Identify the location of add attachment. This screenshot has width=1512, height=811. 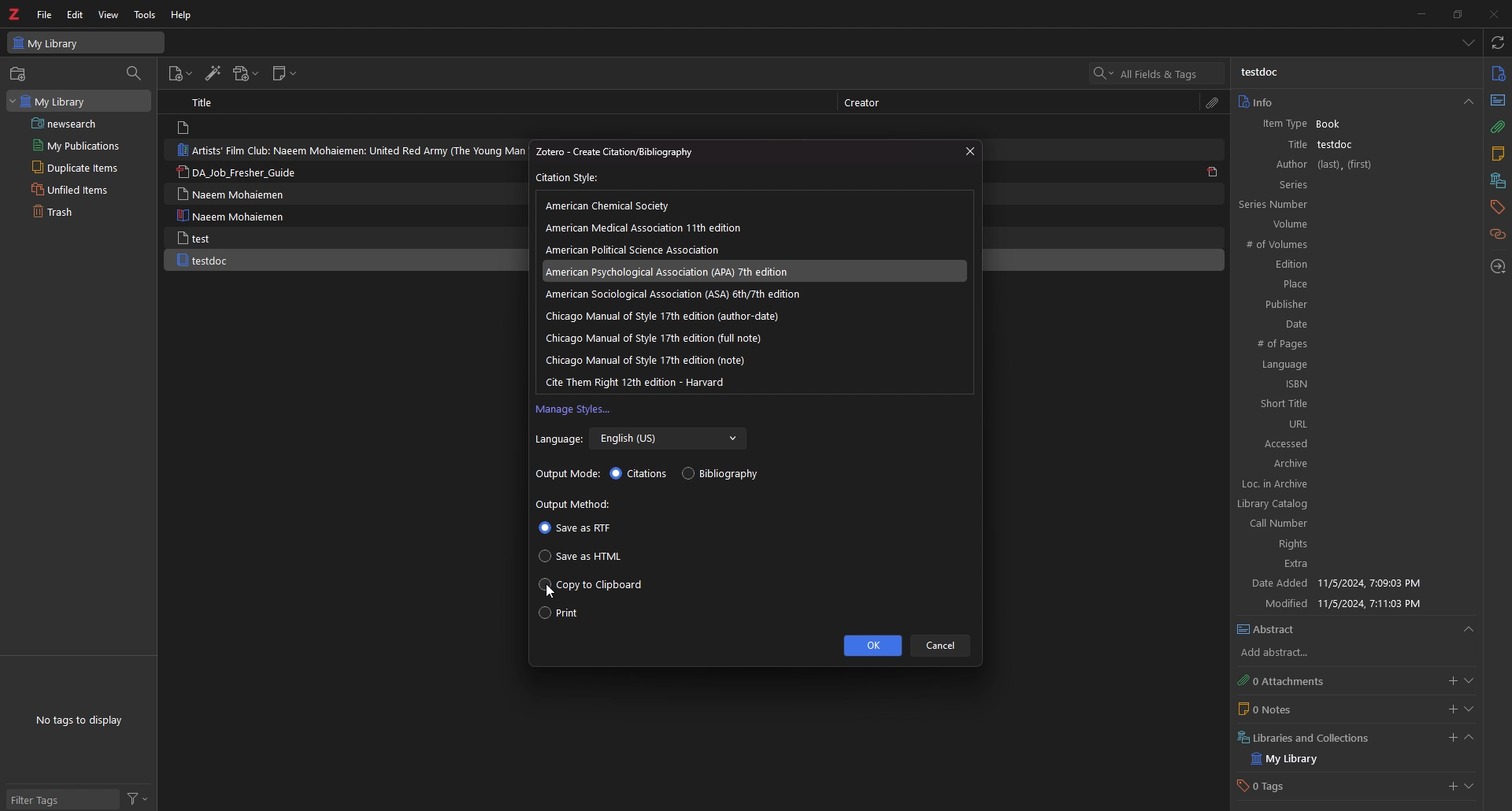
(245, 74).